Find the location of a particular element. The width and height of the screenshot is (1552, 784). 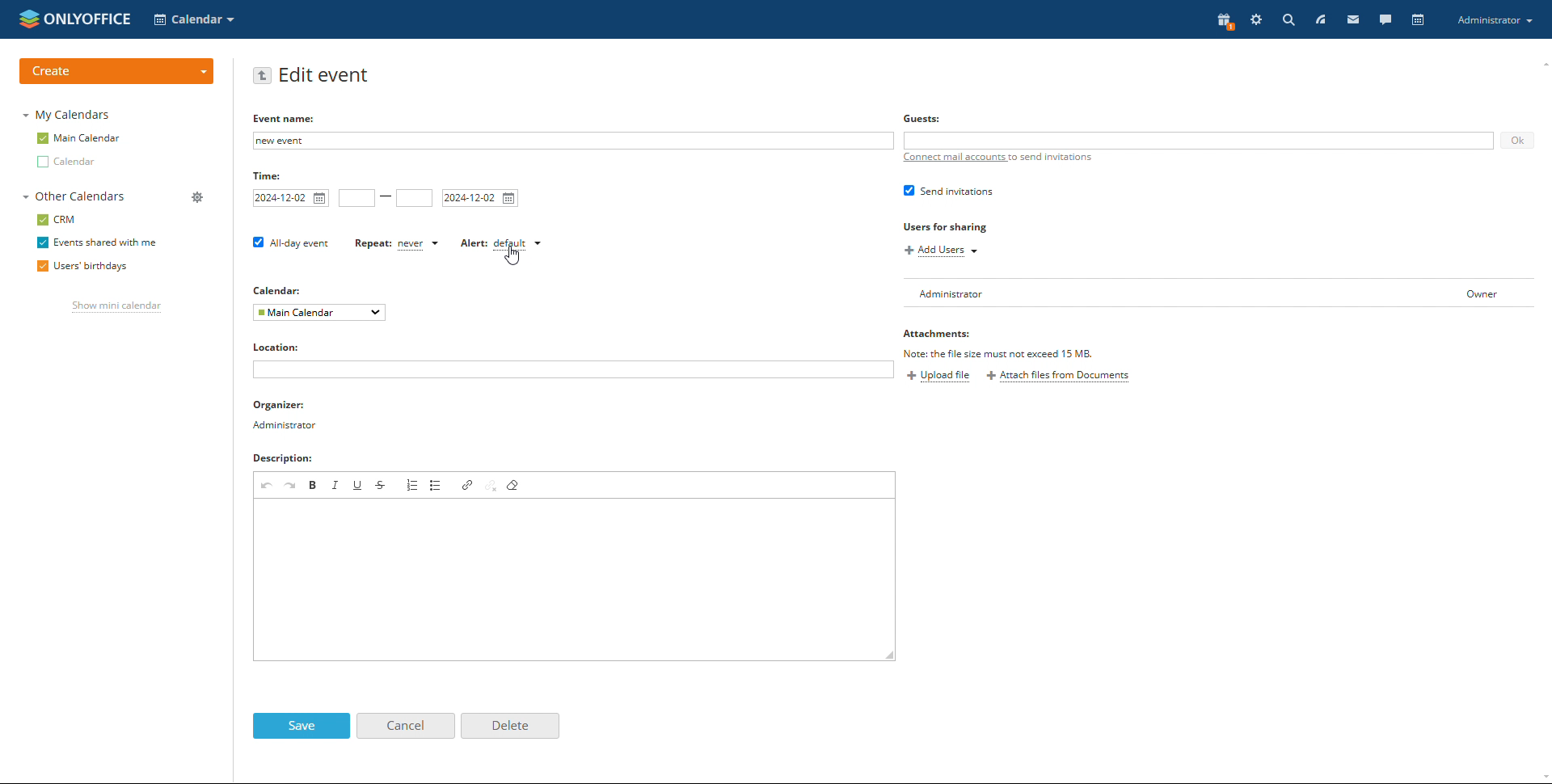

delete is located at coordinates (511, 726).